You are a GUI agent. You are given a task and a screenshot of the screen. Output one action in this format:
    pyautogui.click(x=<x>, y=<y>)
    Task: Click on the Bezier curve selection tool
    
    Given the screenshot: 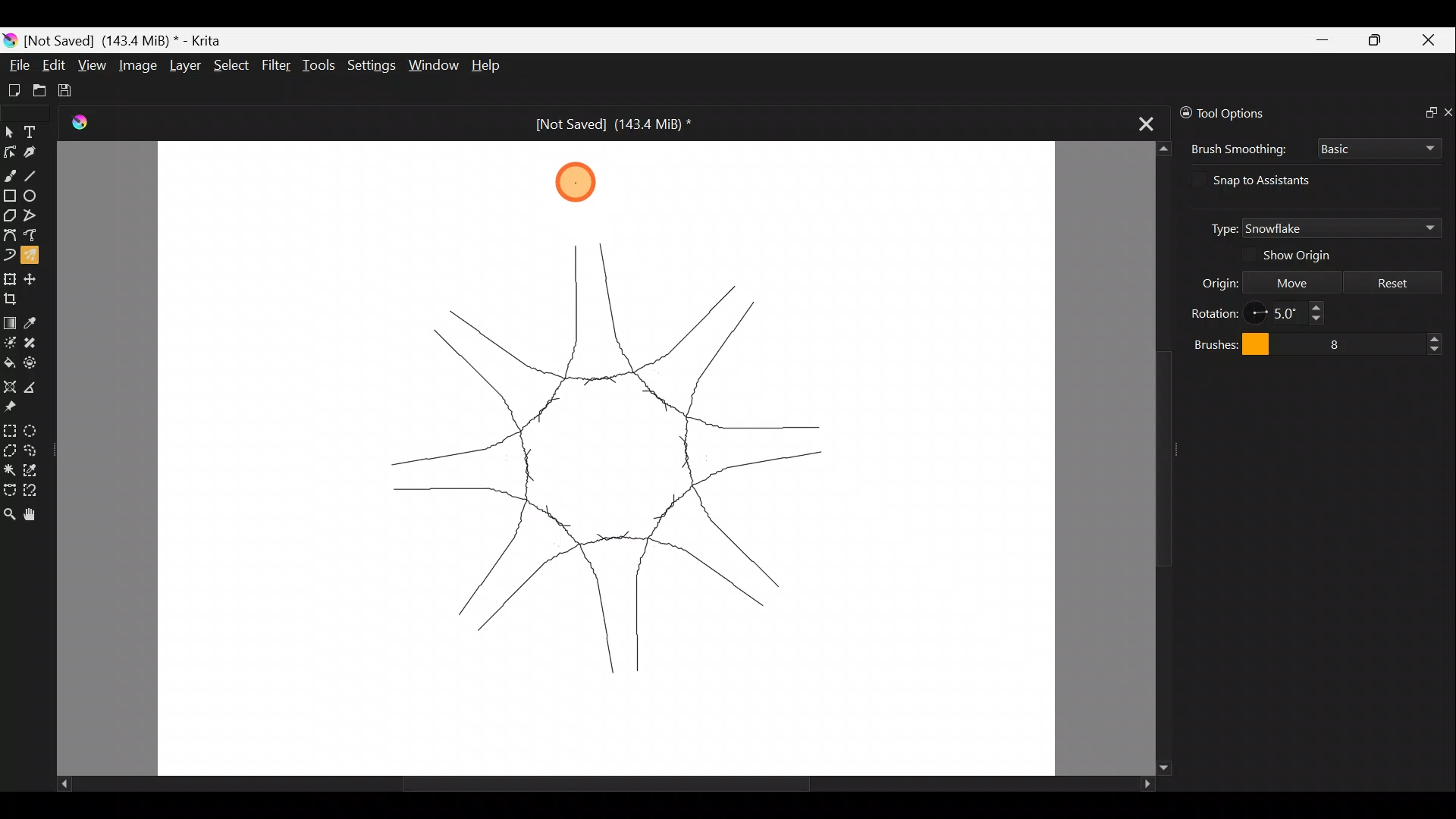 What is the action you would take?
    pyautogui.click(x=9, y=490)
    